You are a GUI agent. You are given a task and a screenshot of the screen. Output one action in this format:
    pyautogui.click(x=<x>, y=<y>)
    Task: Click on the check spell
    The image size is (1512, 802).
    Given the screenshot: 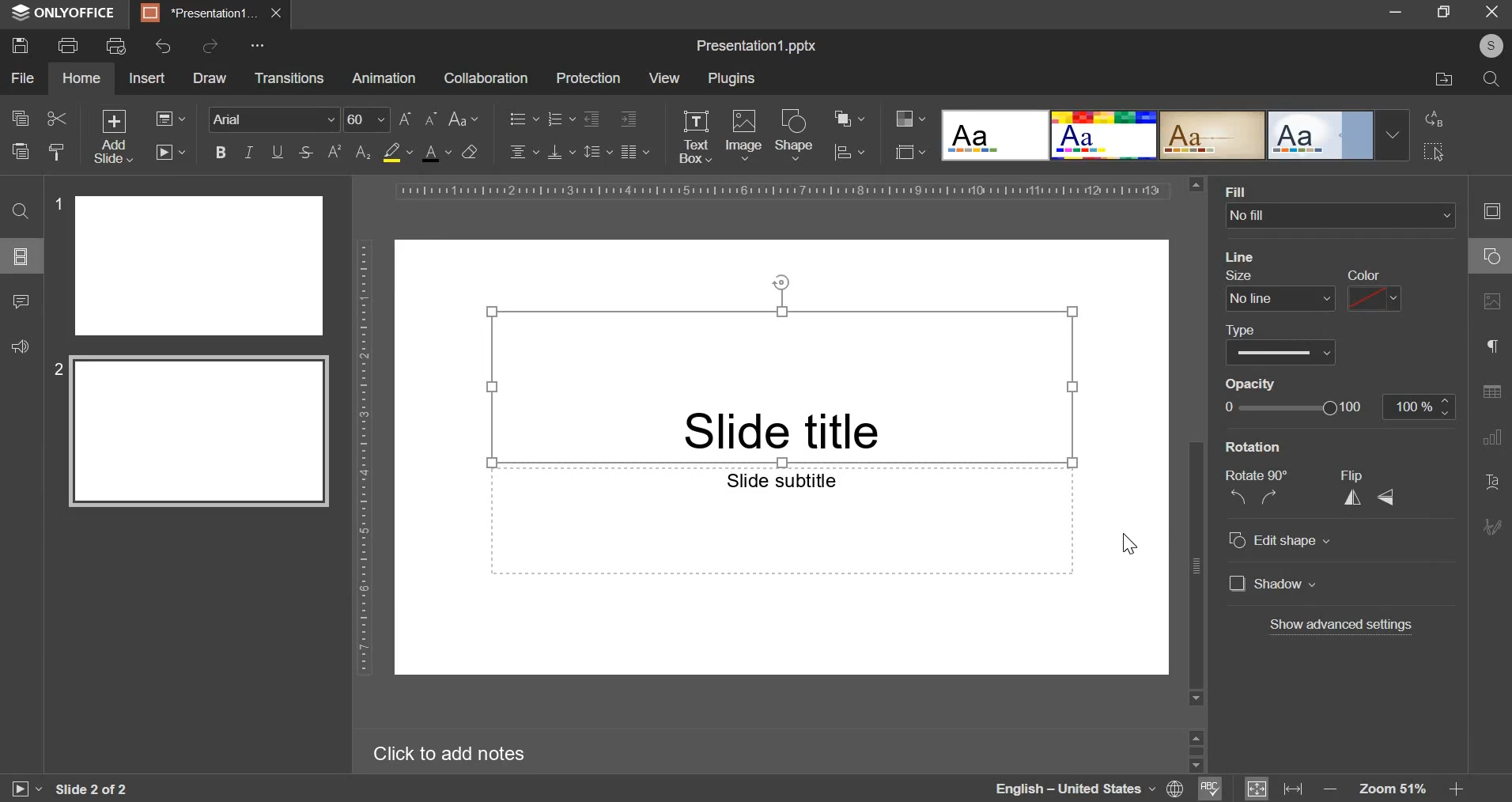 What is the action you would take?
    pyautogui.click(x=1208, y=789)
    